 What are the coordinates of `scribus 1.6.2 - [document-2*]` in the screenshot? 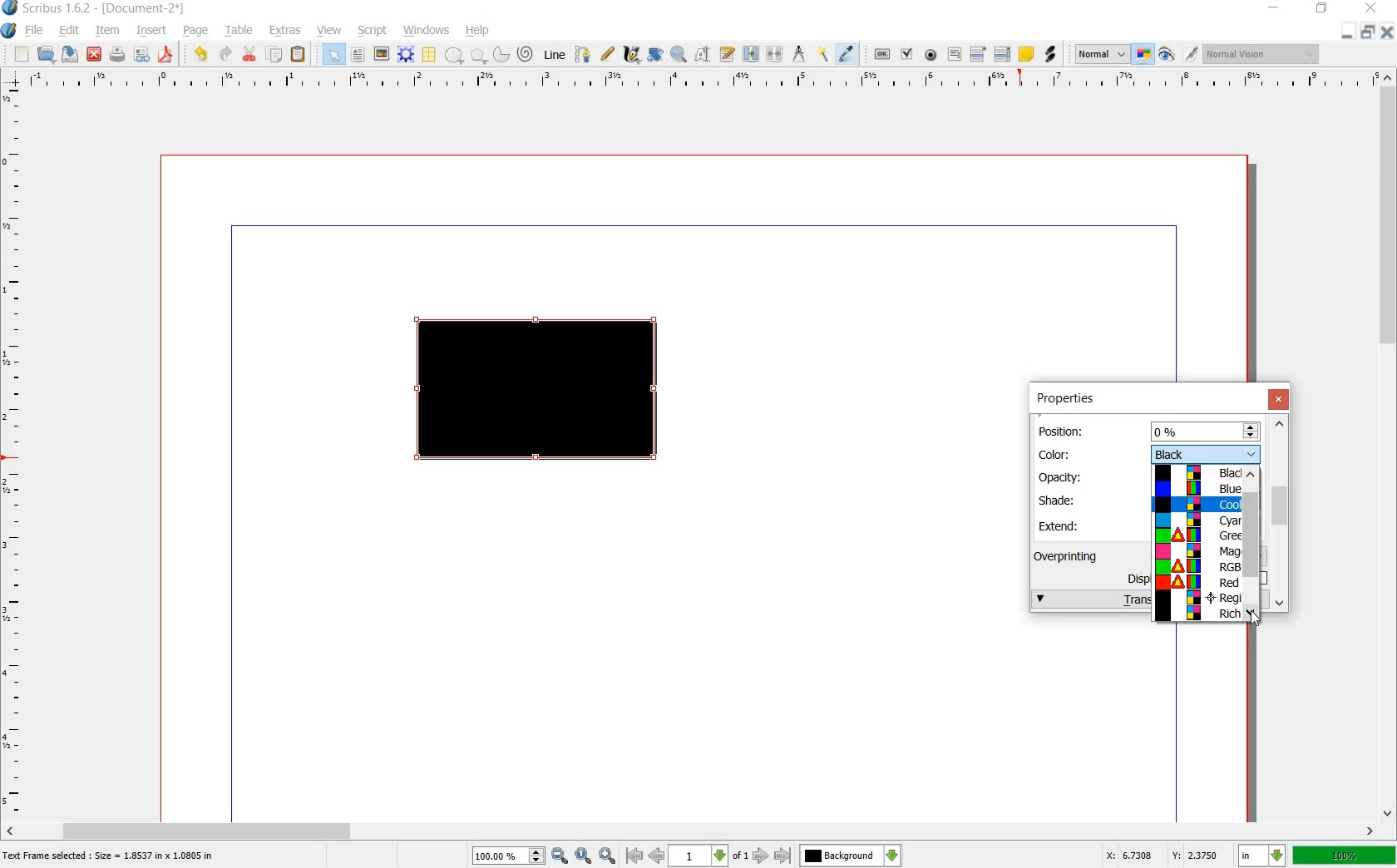 It's located at (110, 9).